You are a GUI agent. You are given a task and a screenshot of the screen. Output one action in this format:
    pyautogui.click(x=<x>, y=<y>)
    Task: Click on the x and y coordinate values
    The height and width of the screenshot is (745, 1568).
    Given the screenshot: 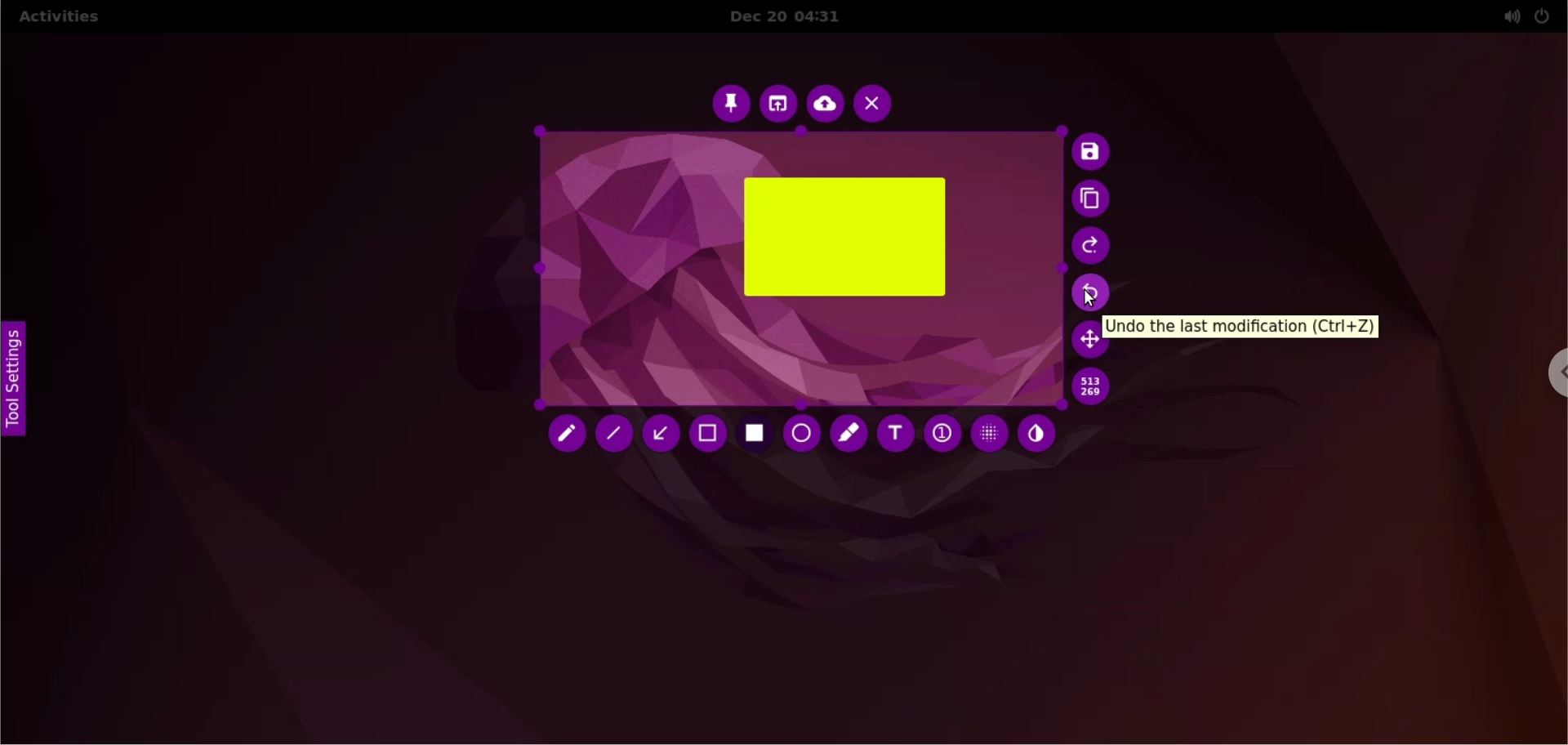 What is the action you would take?
    pyautogui.click(x=1095, y=389)
    